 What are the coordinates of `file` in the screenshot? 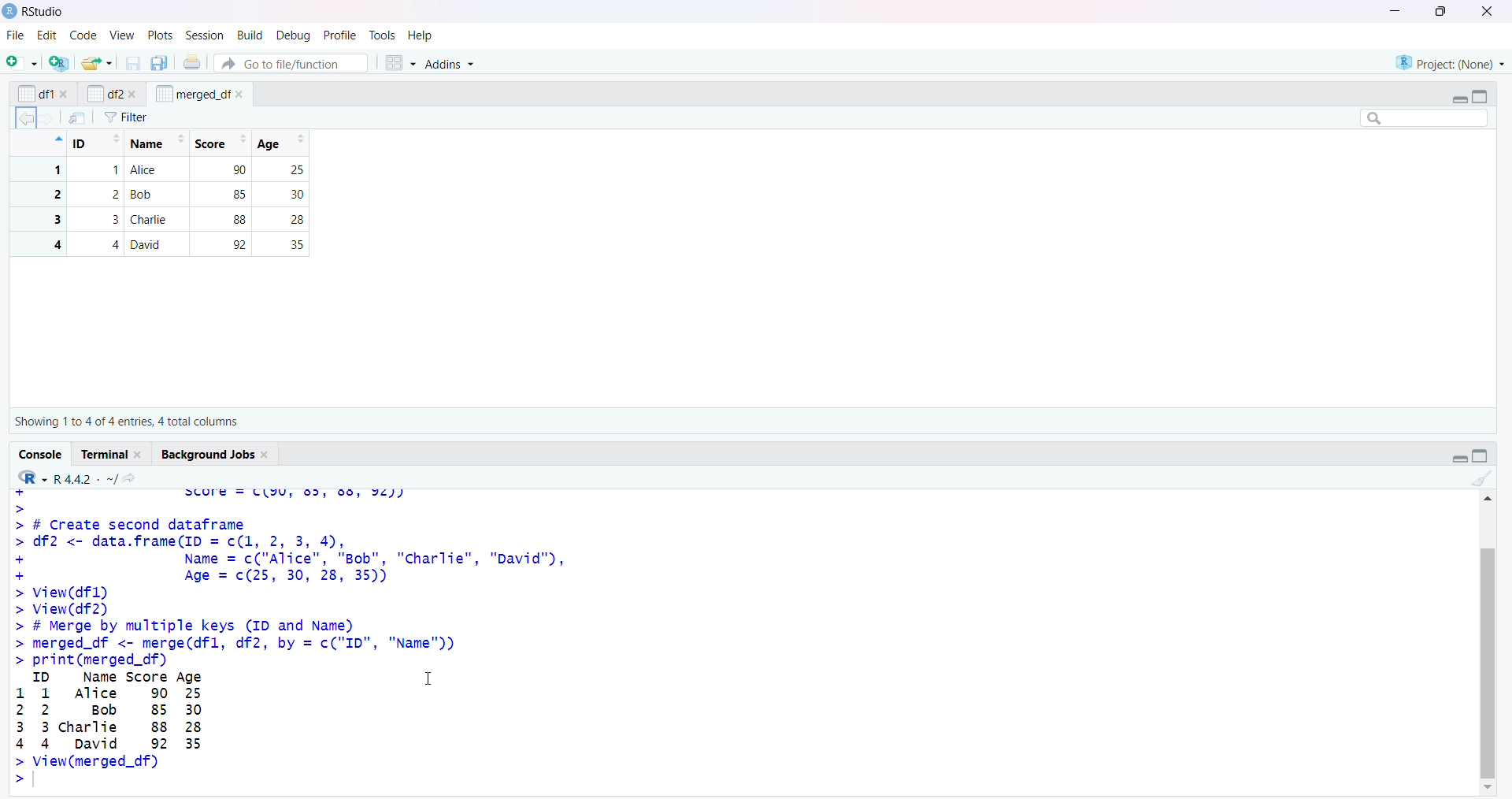 It's located at (17, 35).